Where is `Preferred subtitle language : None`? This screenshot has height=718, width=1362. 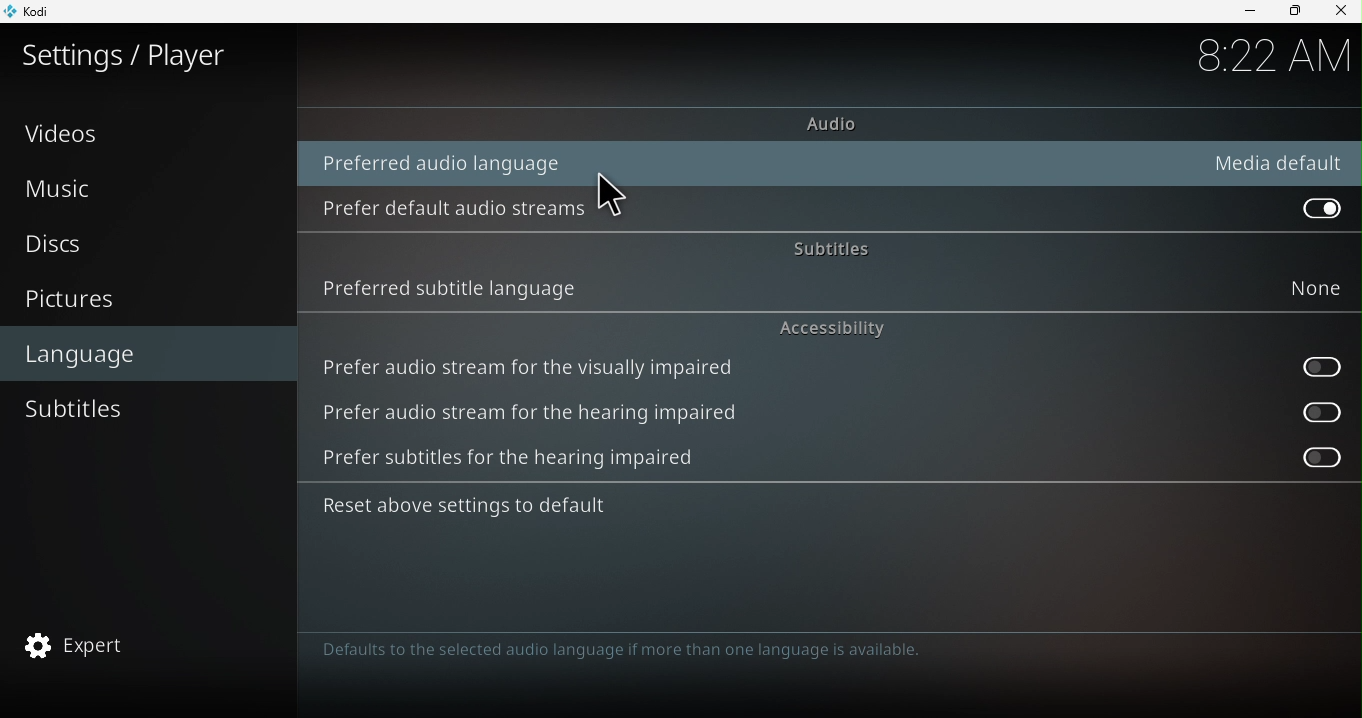
Preferred subtitle language : None is located at coordinates (824, 288).